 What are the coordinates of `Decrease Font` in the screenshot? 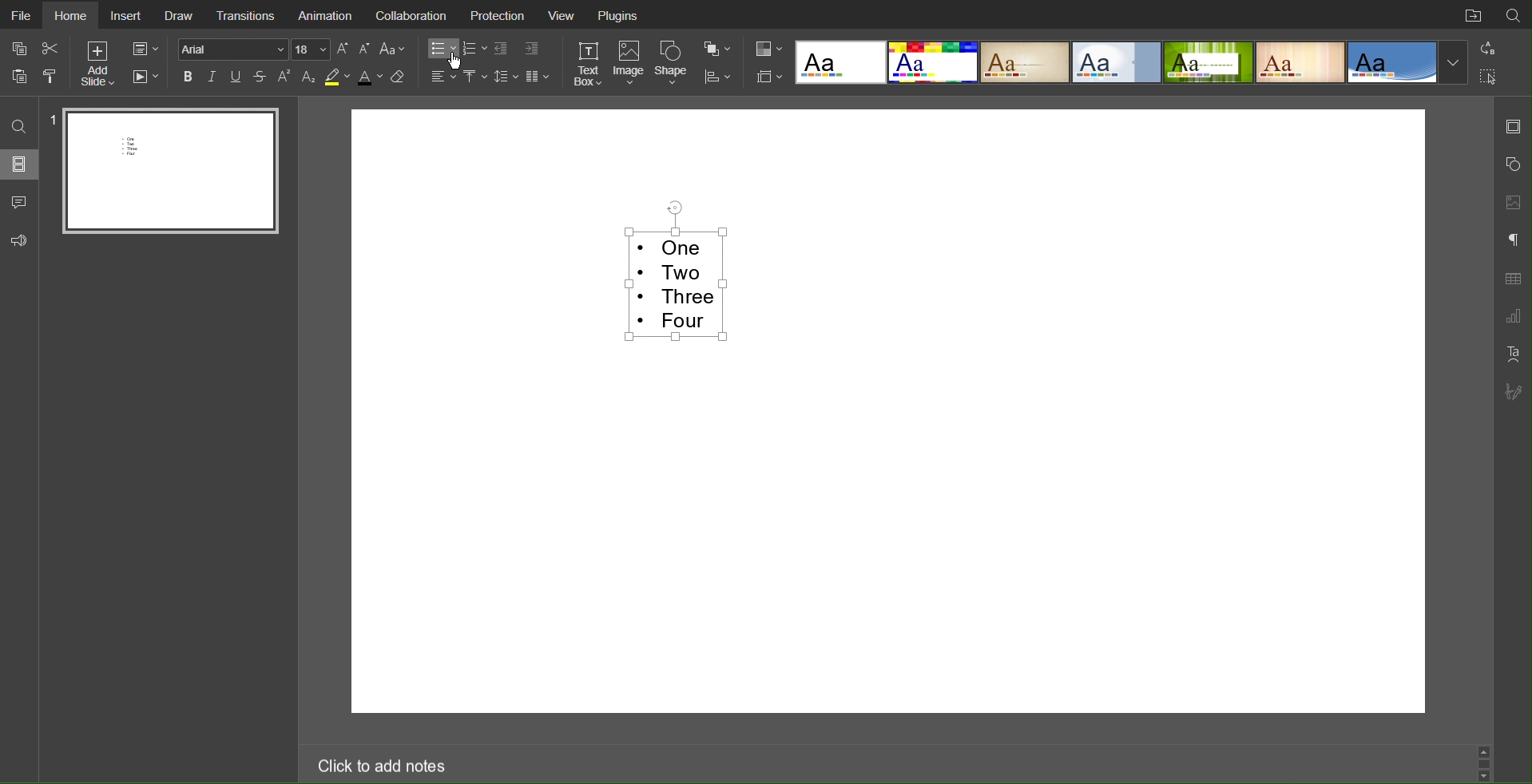 It's located at (363, 49).